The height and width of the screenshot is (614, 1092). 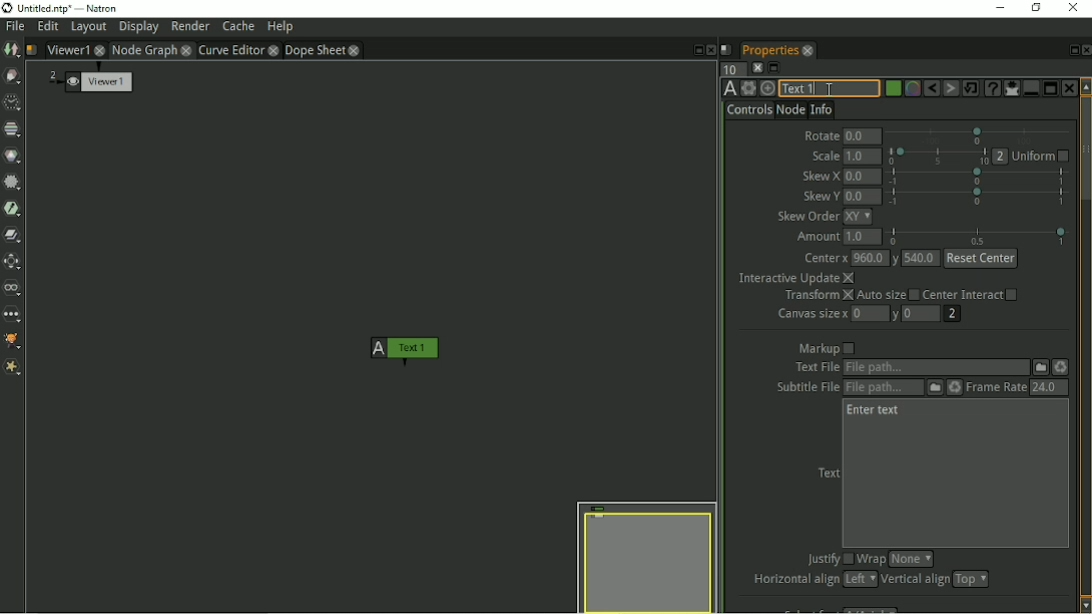 I want to click on Subtitle File, so click(x=882, y=388).